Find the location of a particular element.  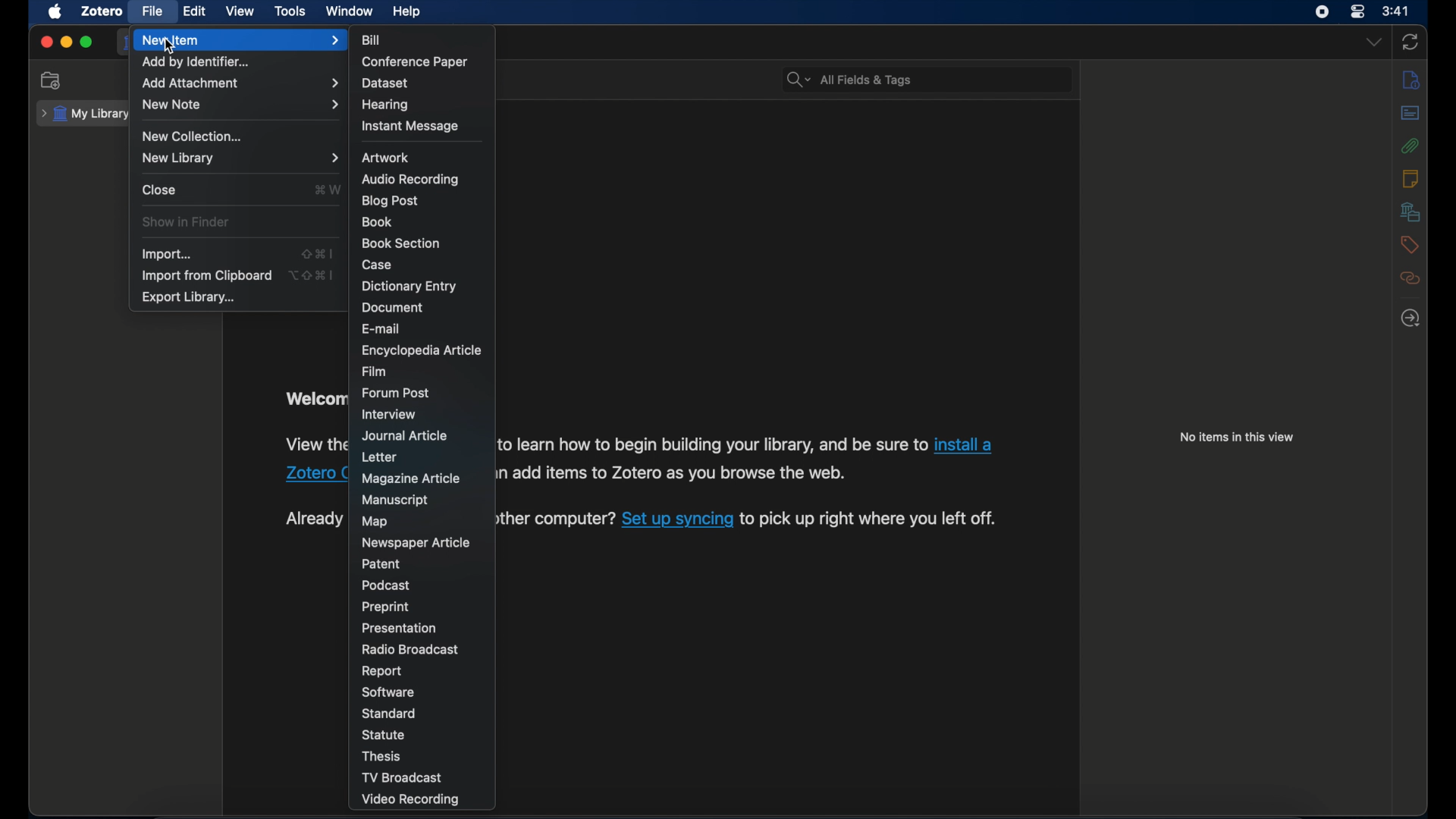

maximize is located at coordinates (86, 42).